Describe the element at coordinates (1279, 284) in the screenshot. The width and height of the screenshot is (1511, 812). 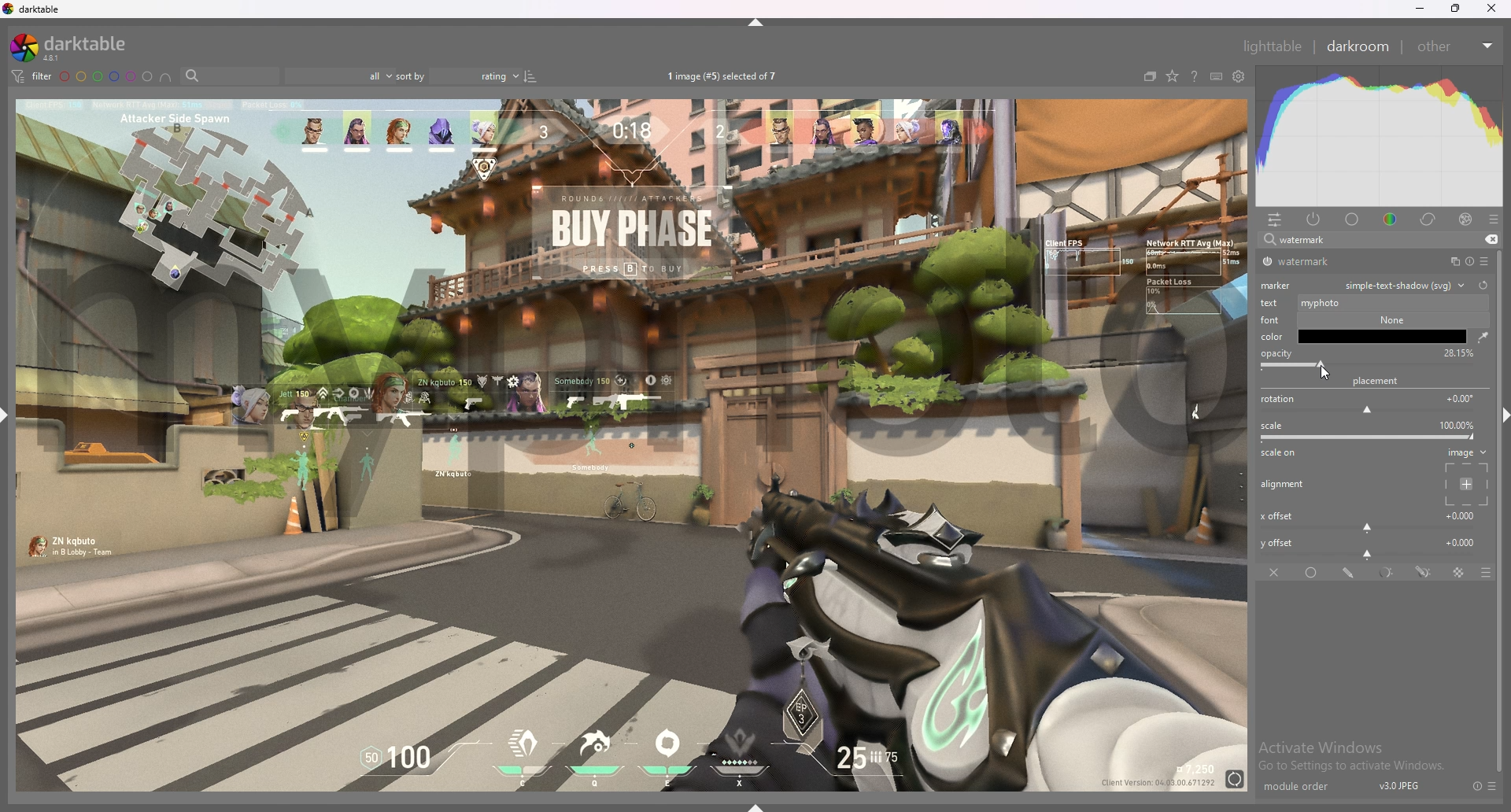
I see `marker` at that location.